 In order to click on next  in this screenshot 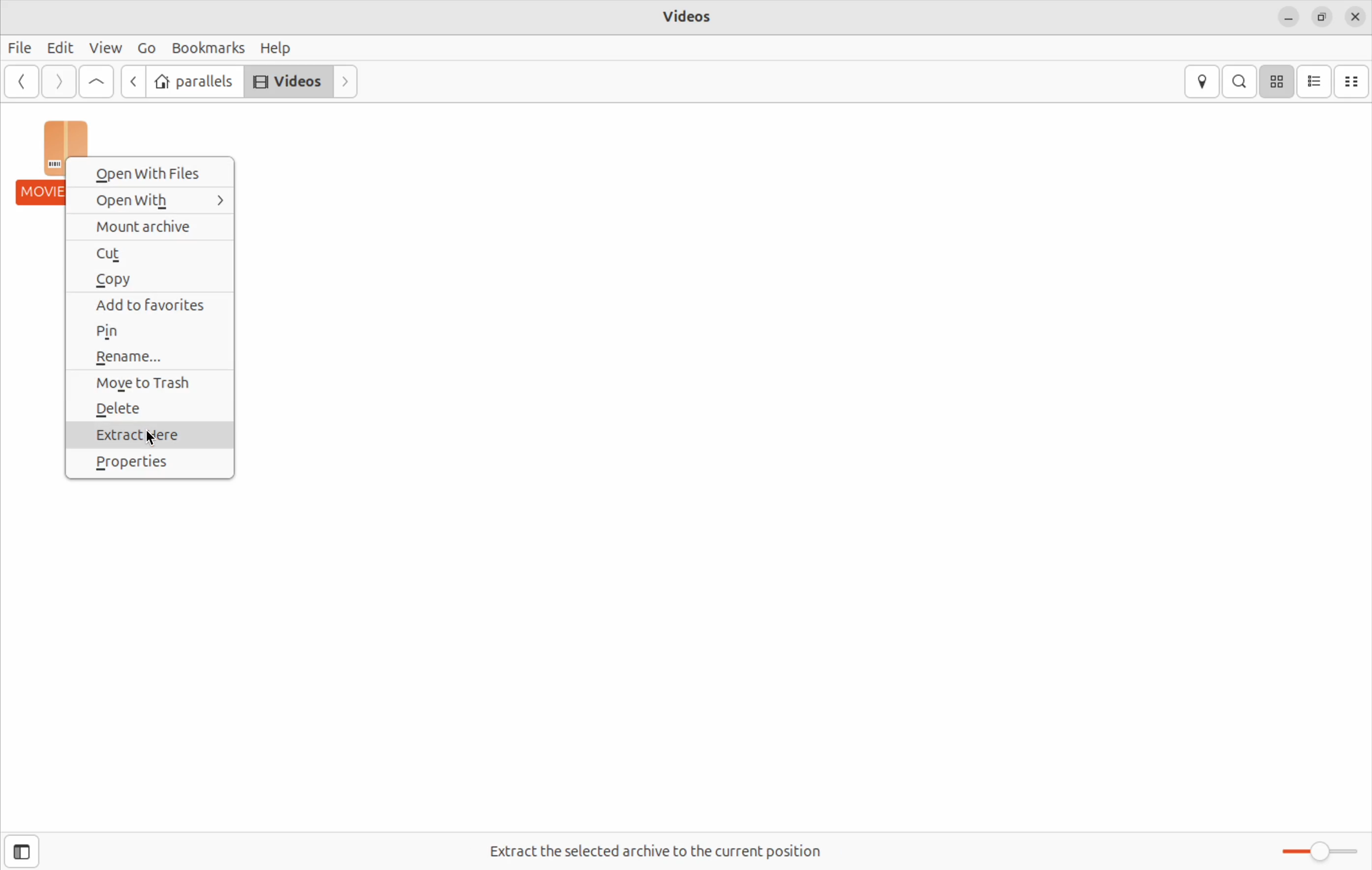, I will do `click(345, 81)`.